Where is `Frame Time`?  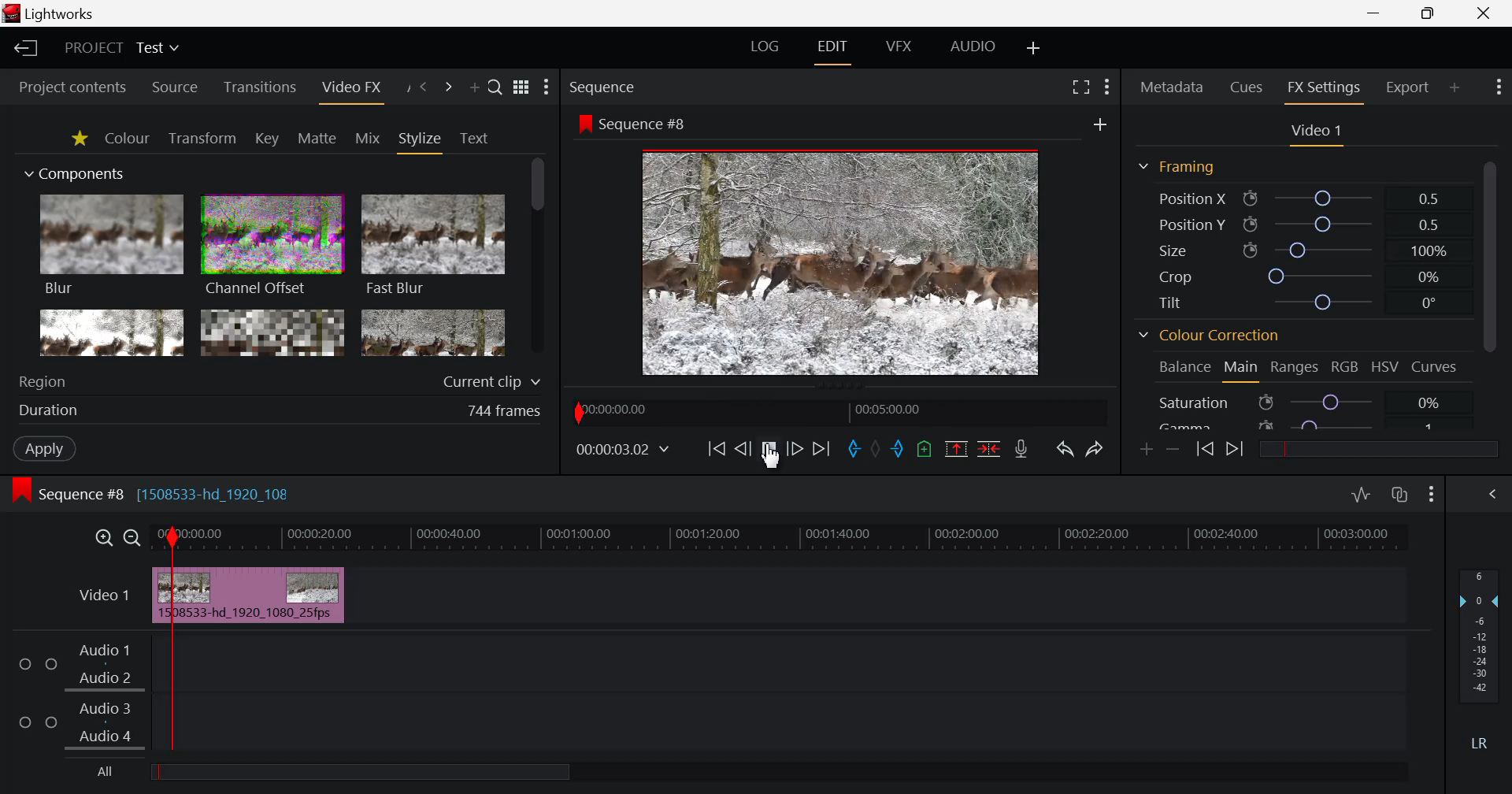 Frame Time is located at coordinates (623, 449).